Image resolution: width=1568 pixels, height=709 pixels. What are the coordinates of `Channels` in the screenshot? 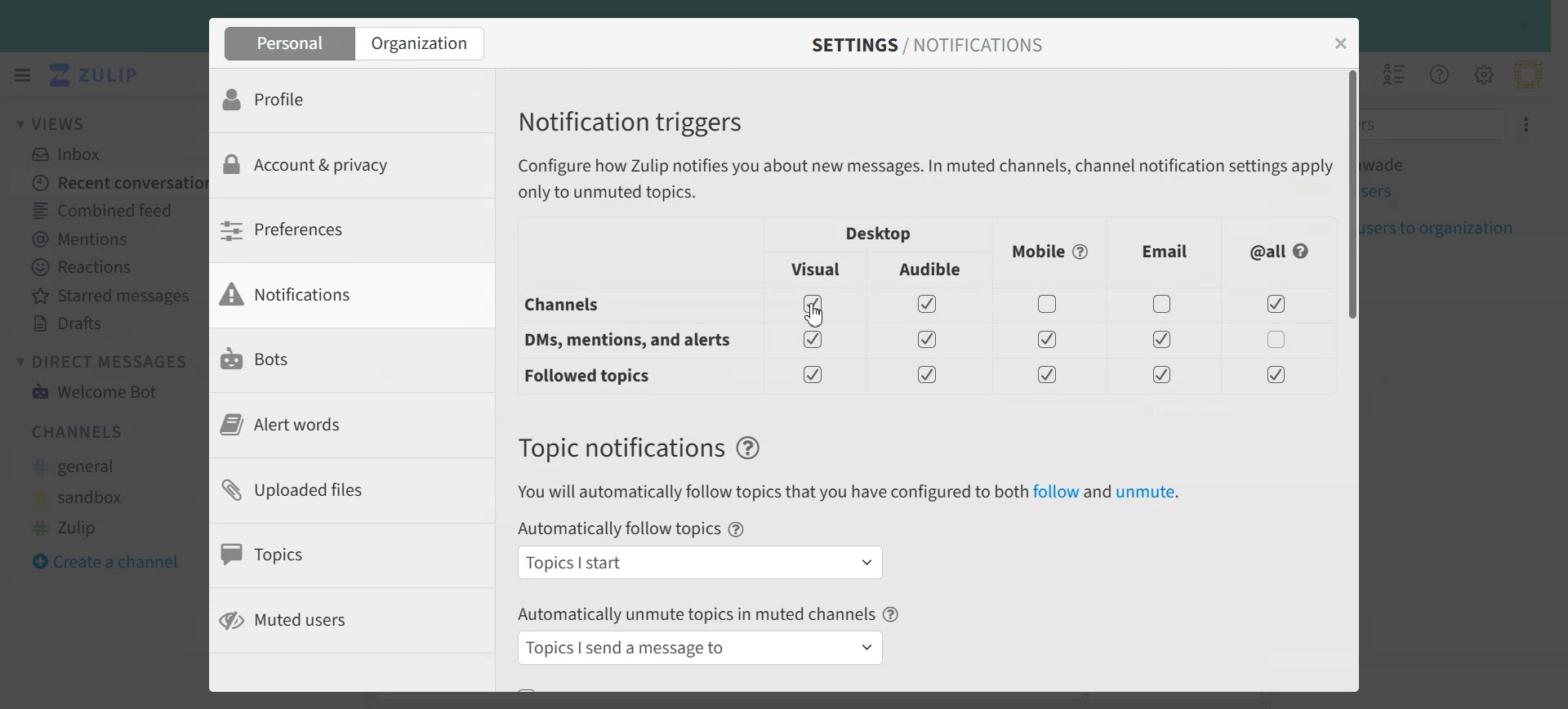 It's located at (608, 305).